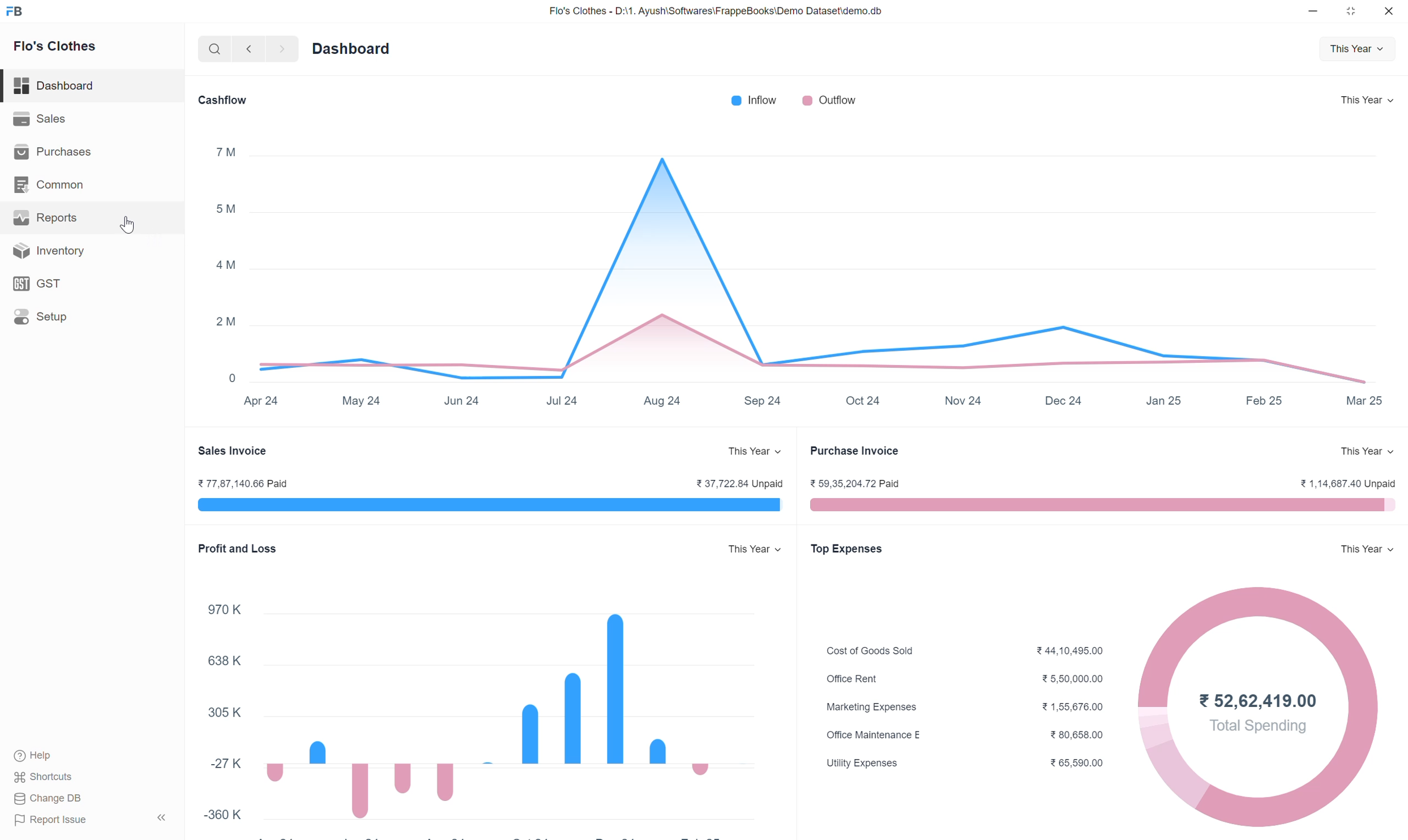 This screenshot has width=1408, height=840. What do you see at coordinates (212, 49) in the screenshot?
I see `search` at bounding box center [212, 49].